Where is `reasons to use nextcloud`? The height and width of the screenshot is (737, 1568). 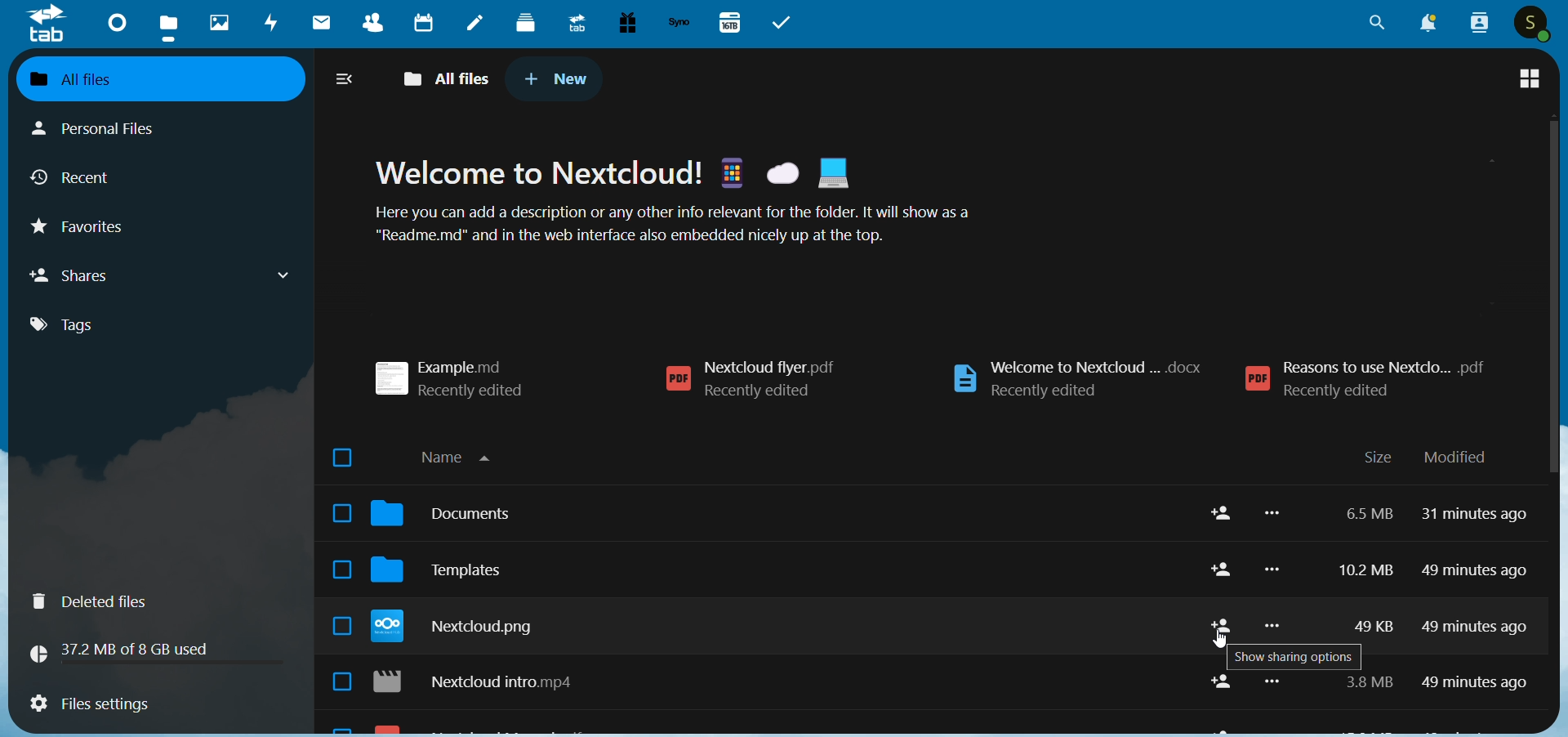
reasons to use nextcloud is located at coordinates (1372, 378).